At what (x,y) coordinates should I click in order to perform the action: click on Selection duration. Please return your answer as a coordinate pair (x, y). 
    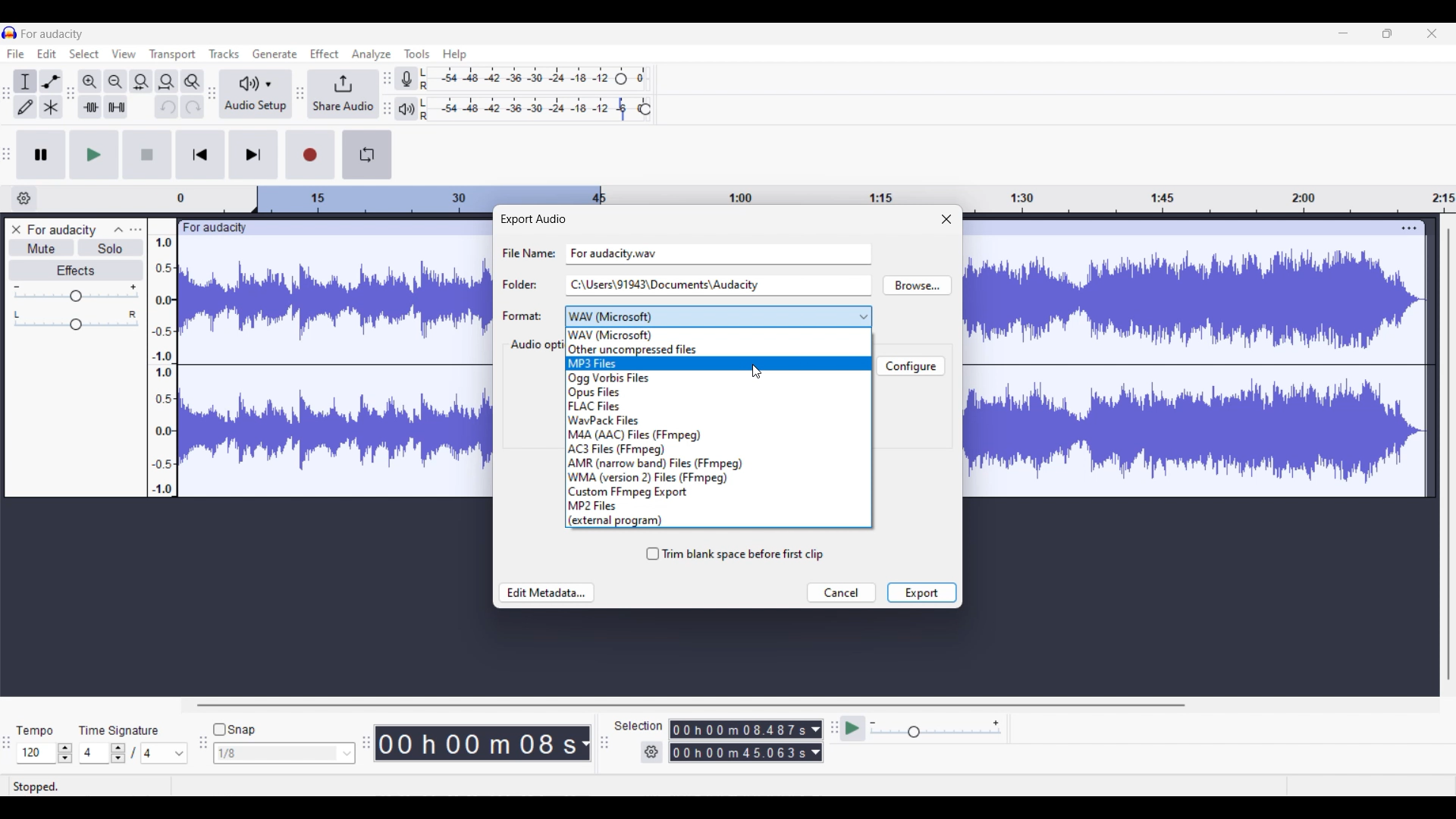
    Looking at the image, I should click on (739, 730).